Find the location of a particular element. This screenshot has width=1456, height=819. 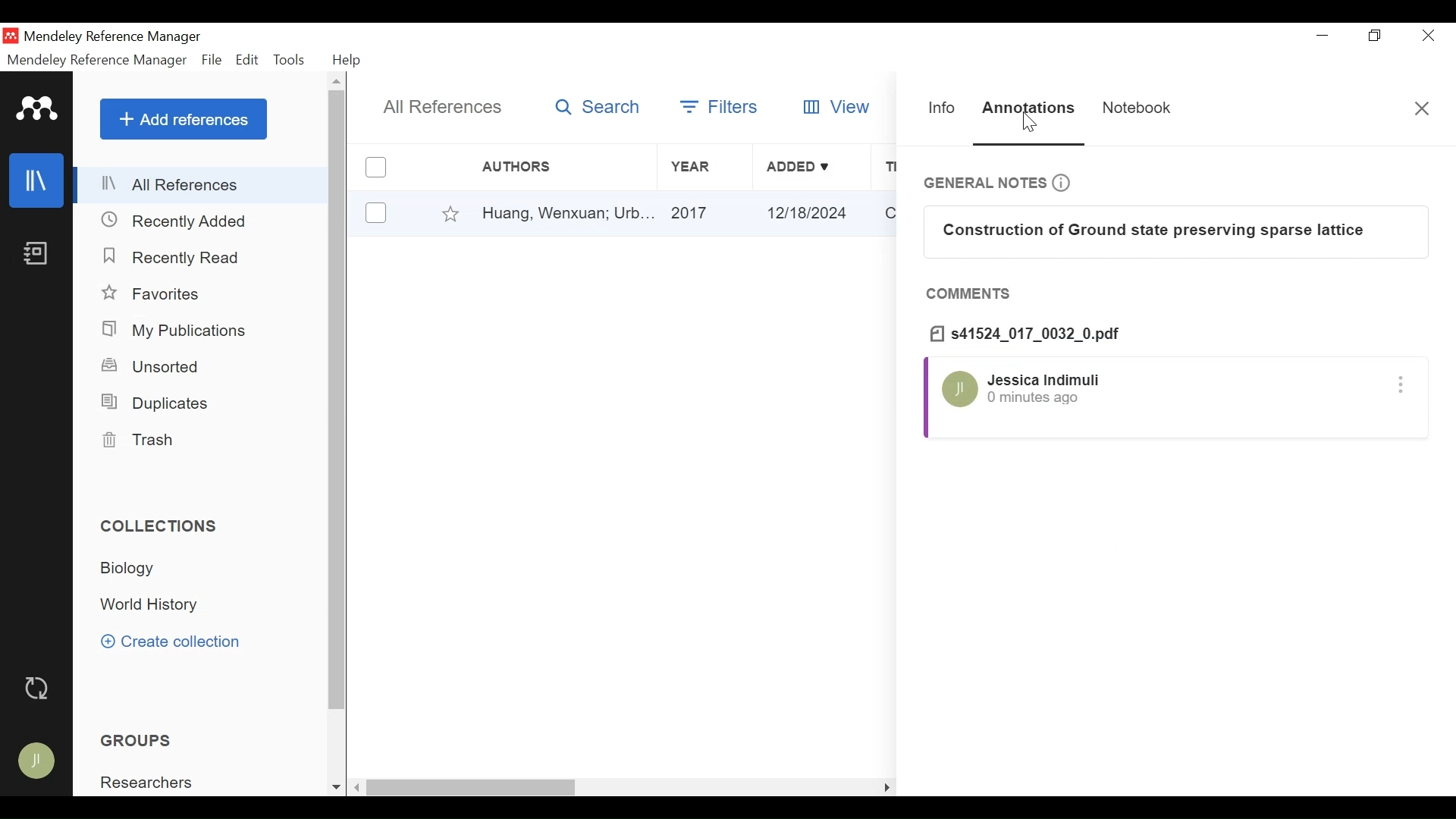

Library is located at coordinates (35, 180).